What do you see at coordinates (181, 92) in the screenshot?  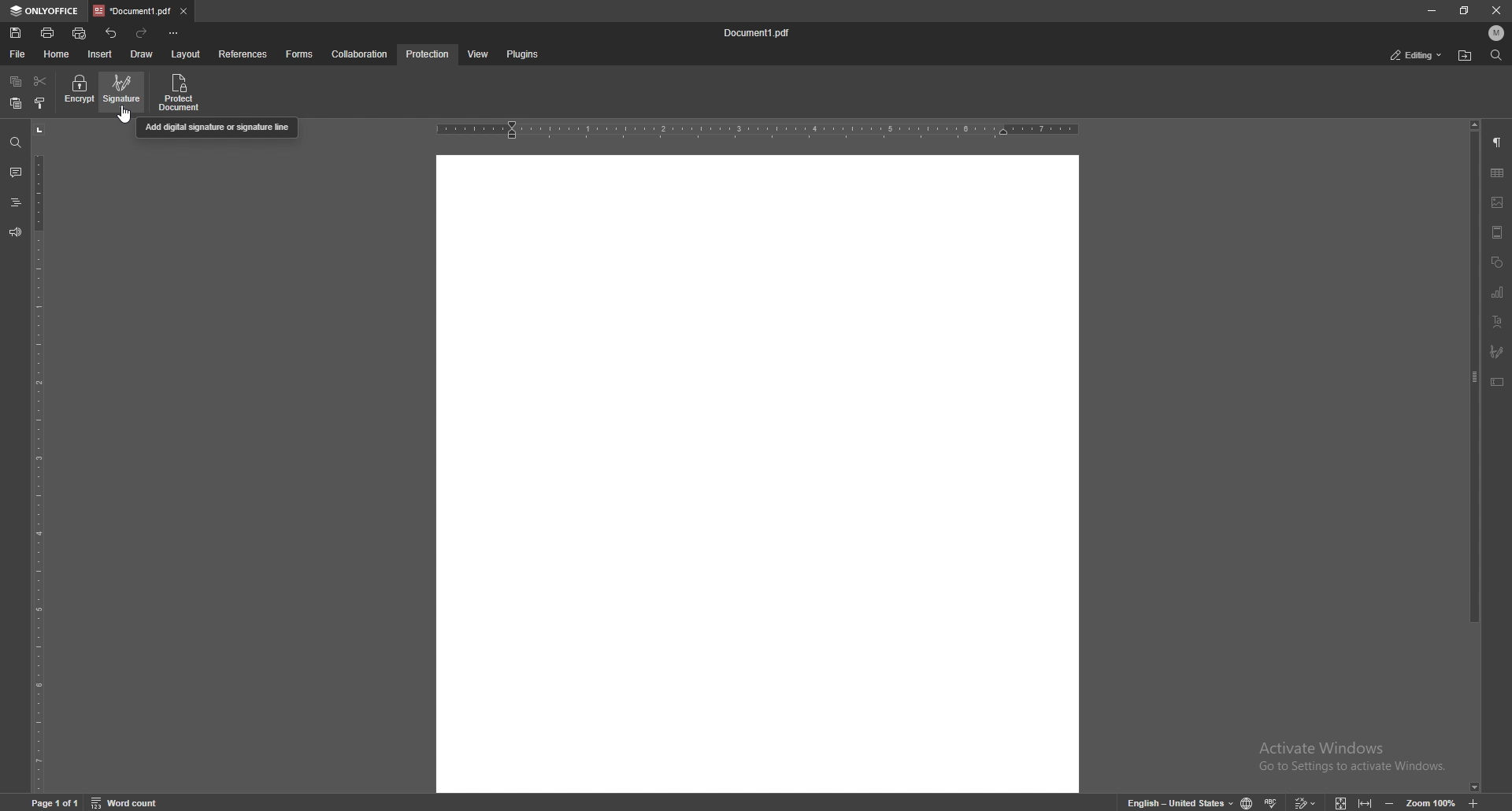 I see `protect document` at bounding box center [181, 92].